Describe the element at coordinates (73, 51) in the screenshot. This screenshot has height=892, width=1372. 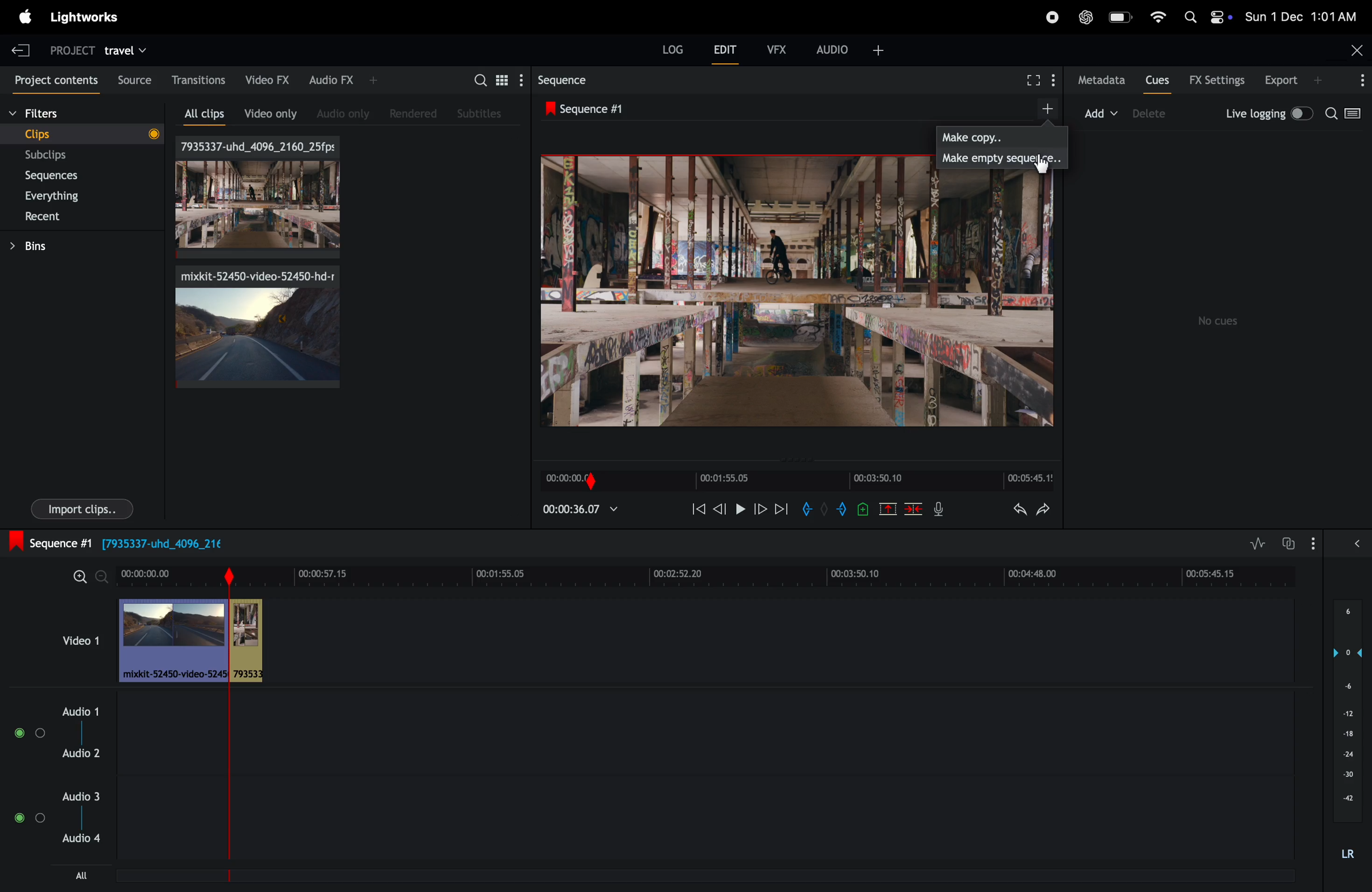
I see `project` at that location.